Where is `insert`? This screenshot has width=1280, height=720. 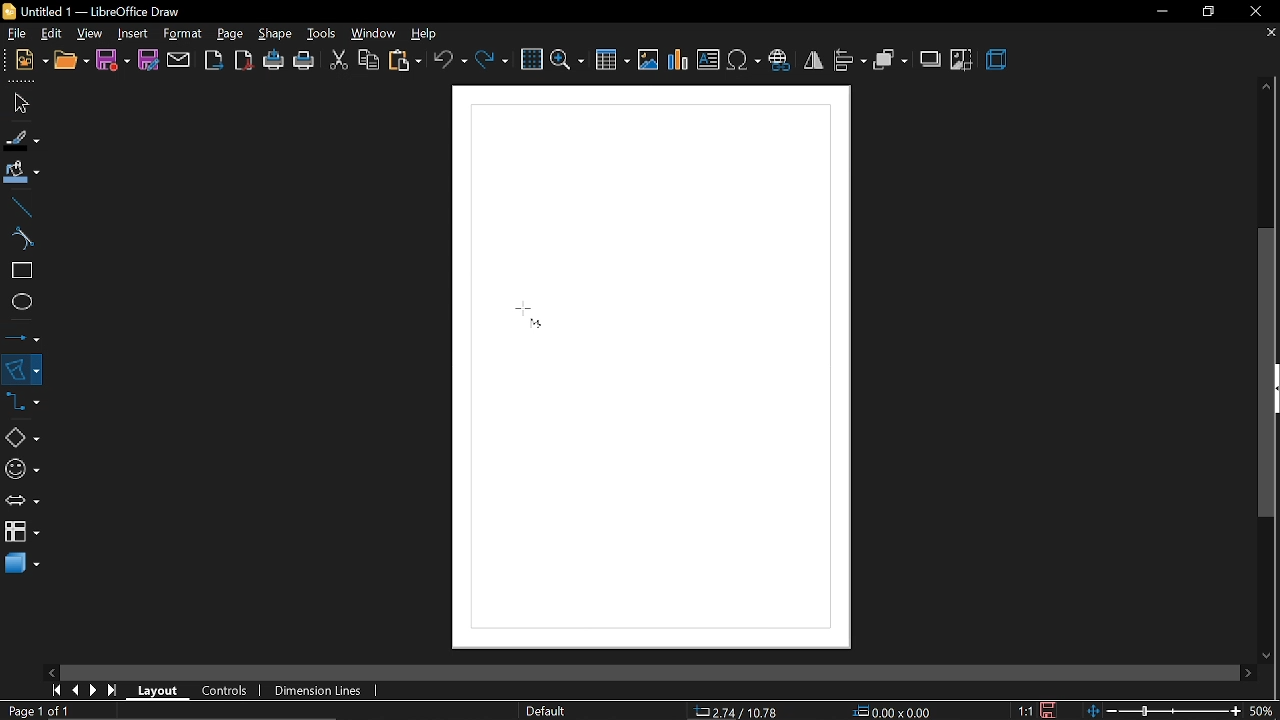 insert is located at coordinates (132, 33).